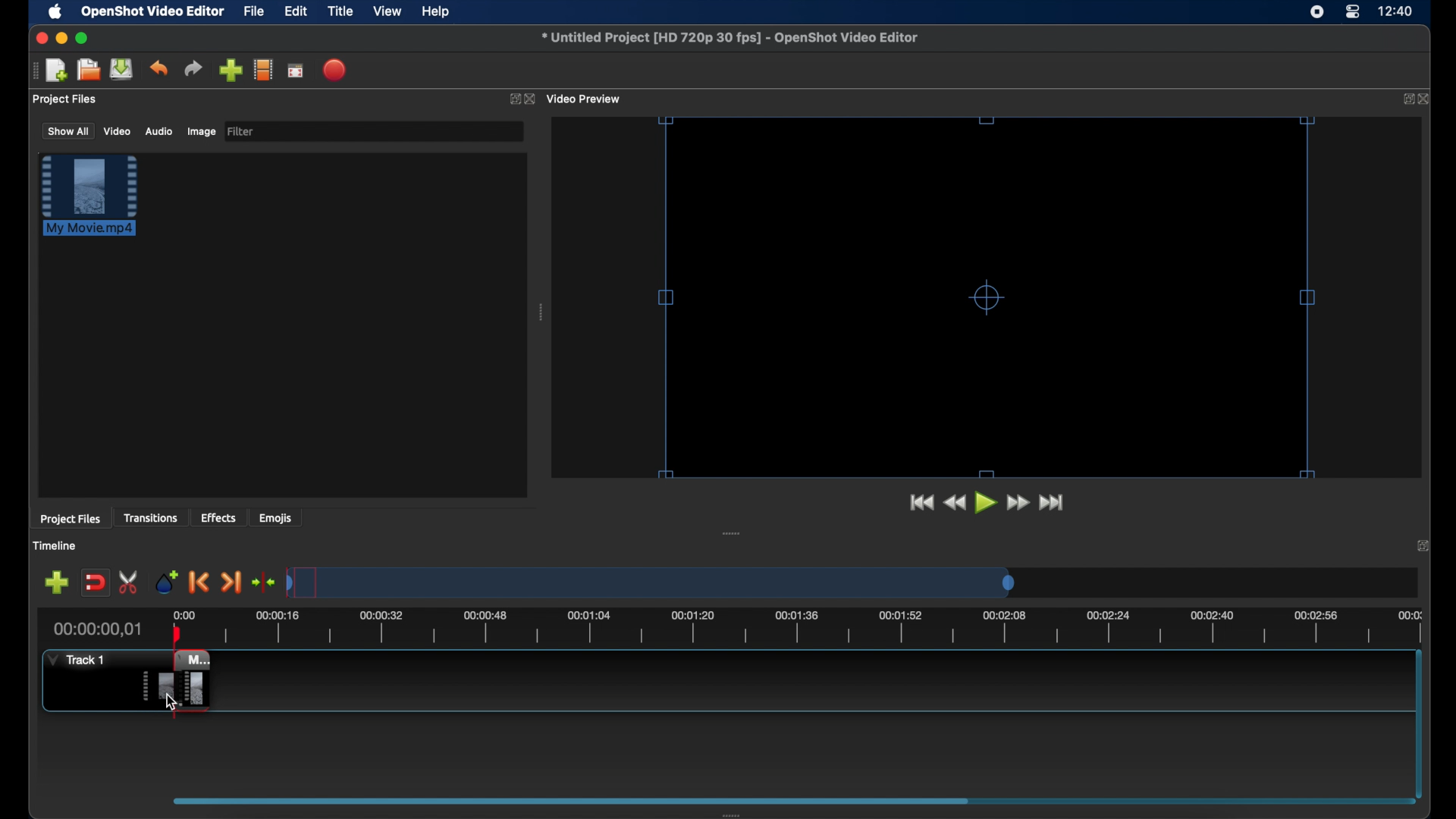 The width and height of the screenshot is (1456, 819). Describe the element at coordinates (1405, 99) in the screenshot. I see `expand` at that location.